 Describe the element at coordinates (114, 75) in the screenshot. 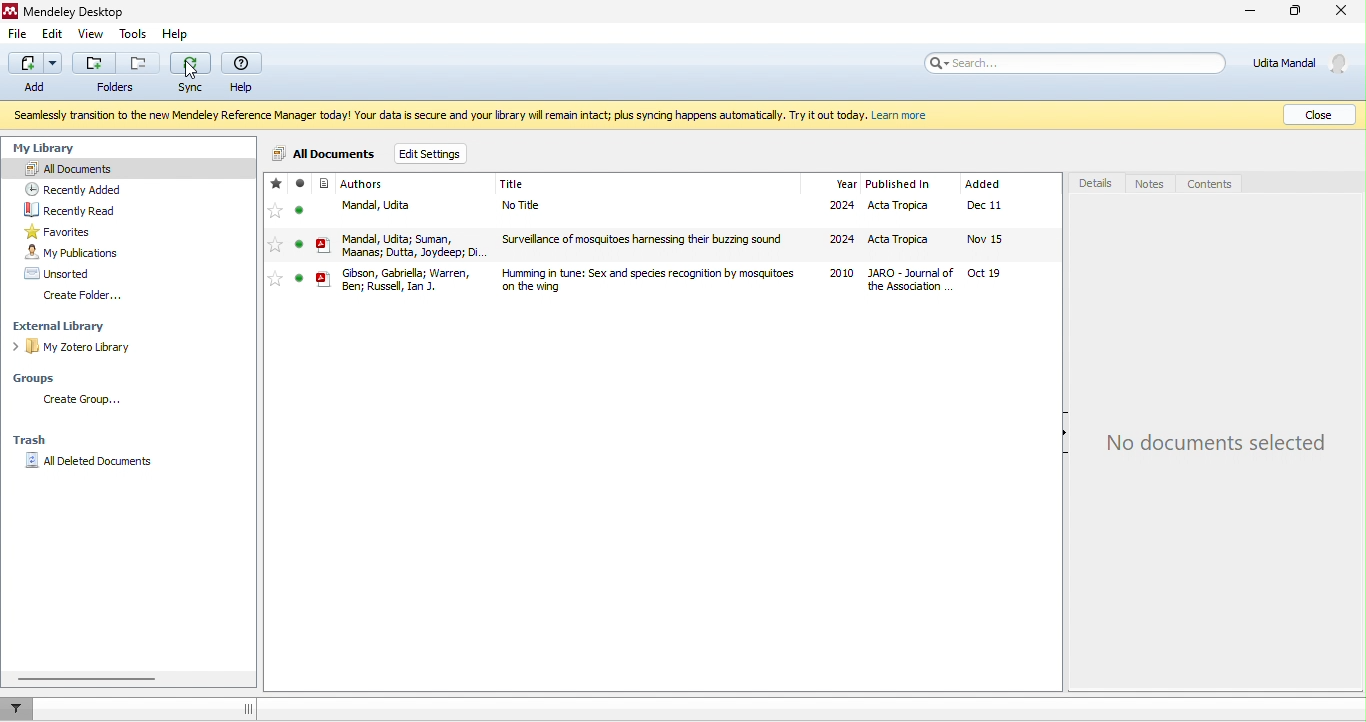

I see `folders` at that location.